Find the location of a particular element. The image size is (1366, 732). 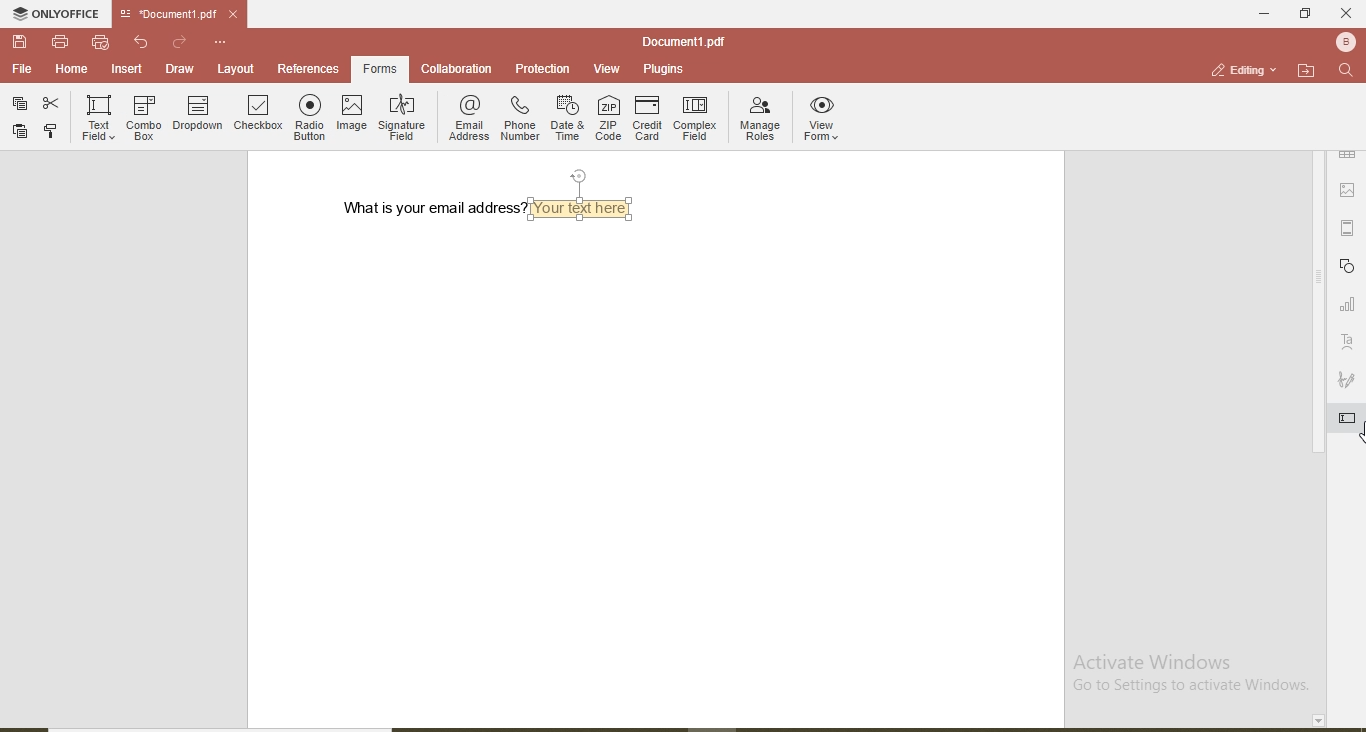

text field is located at coordinates (97, 116).